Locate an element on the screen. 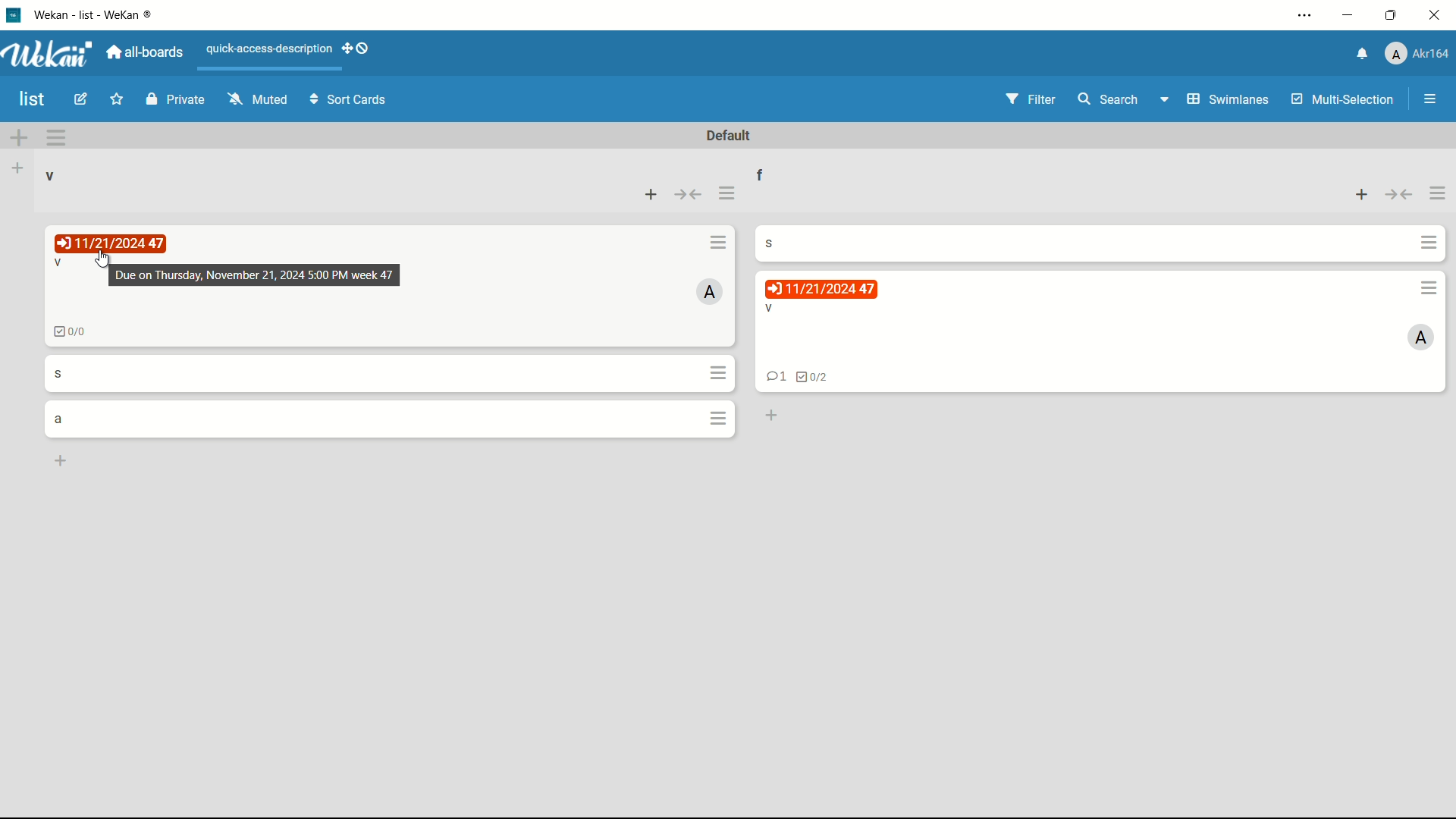 The height and width of the screenshot is (819, 1456). card name is located at coordinates (61, 265).